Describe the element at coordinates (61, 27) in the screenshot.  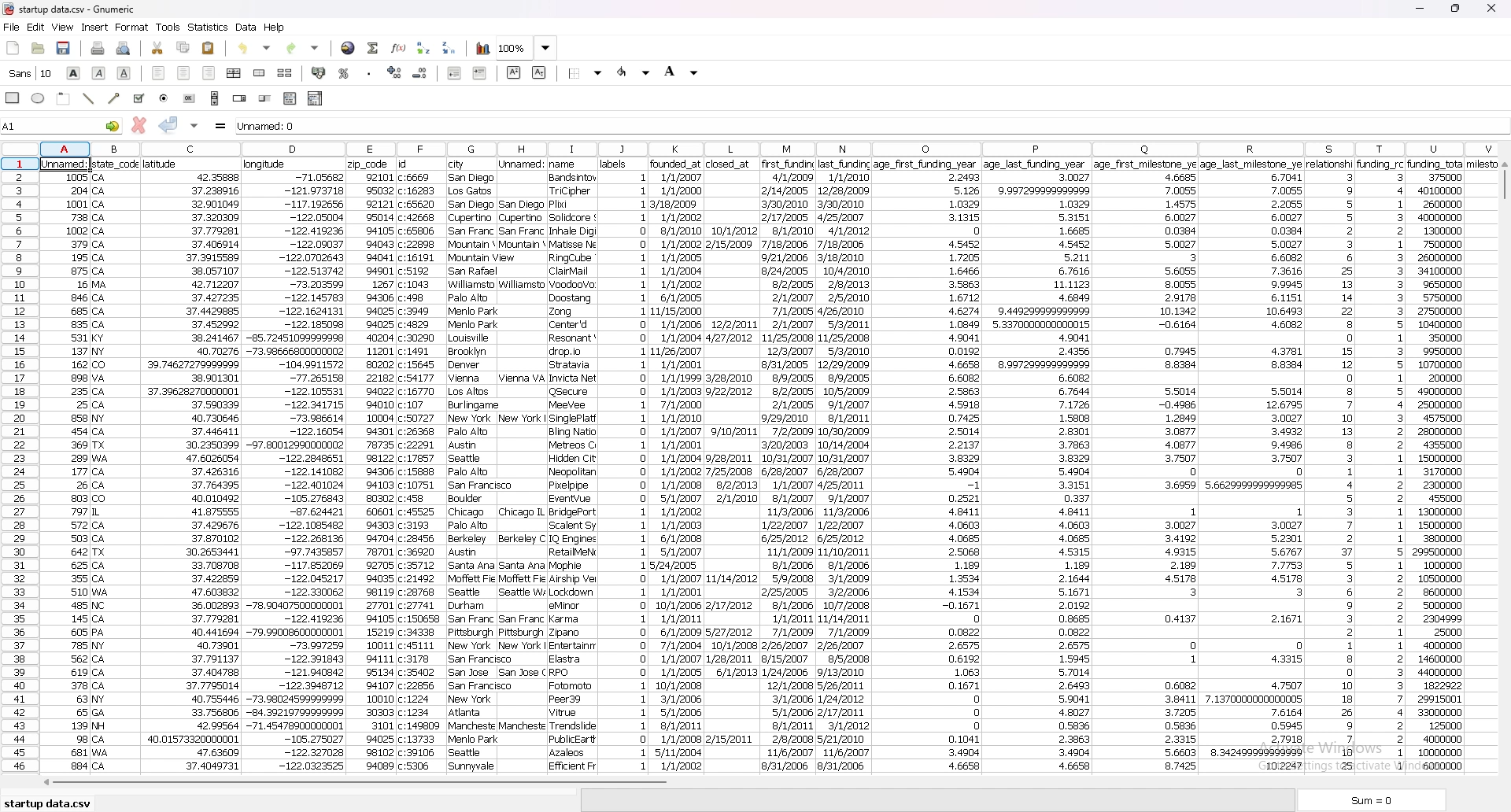
I see `view` at that location.